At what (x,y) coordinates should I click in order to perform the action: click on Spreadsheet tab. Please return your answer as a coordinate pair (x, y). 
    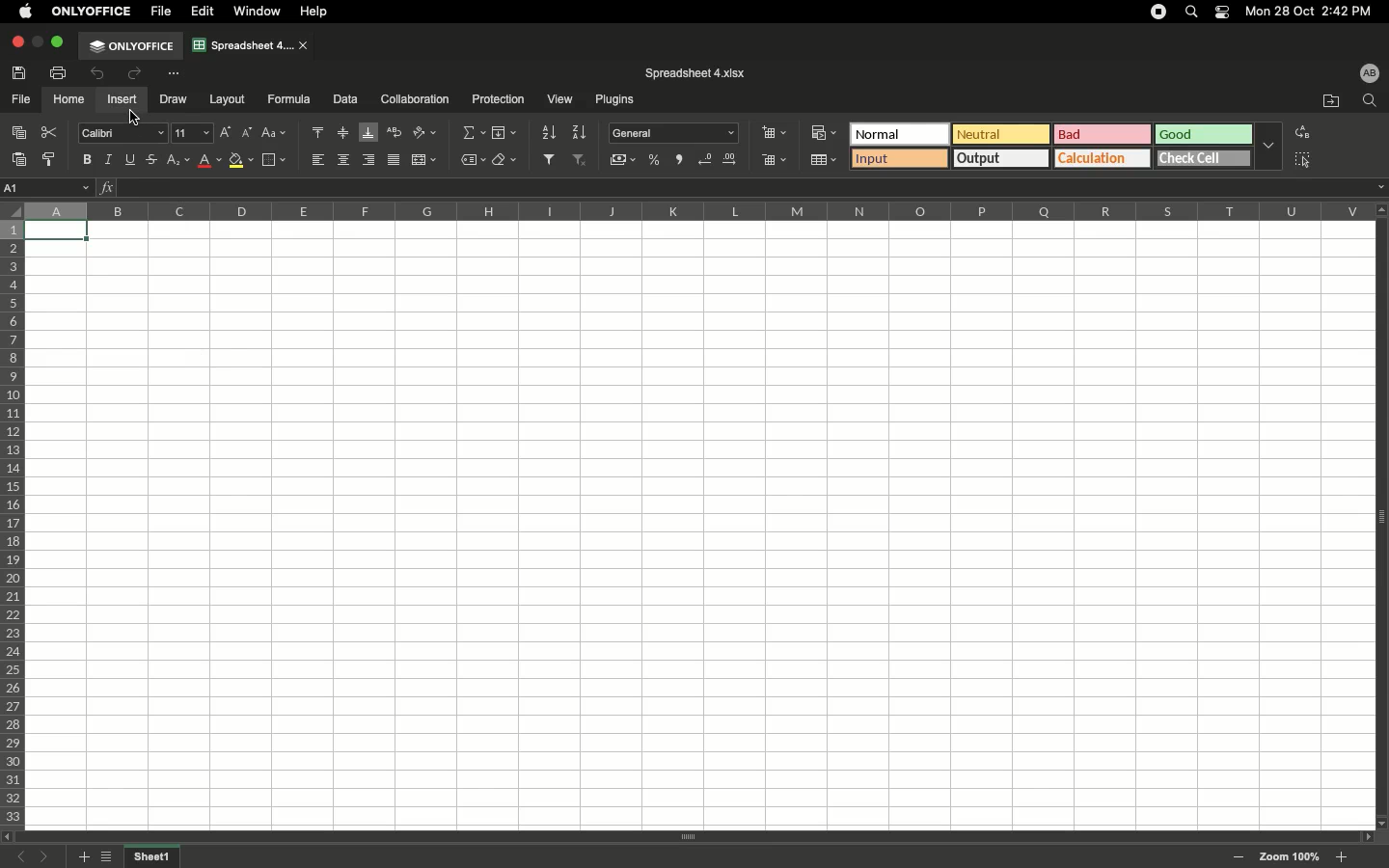
    Looking at the image, I should click on (243, 44).